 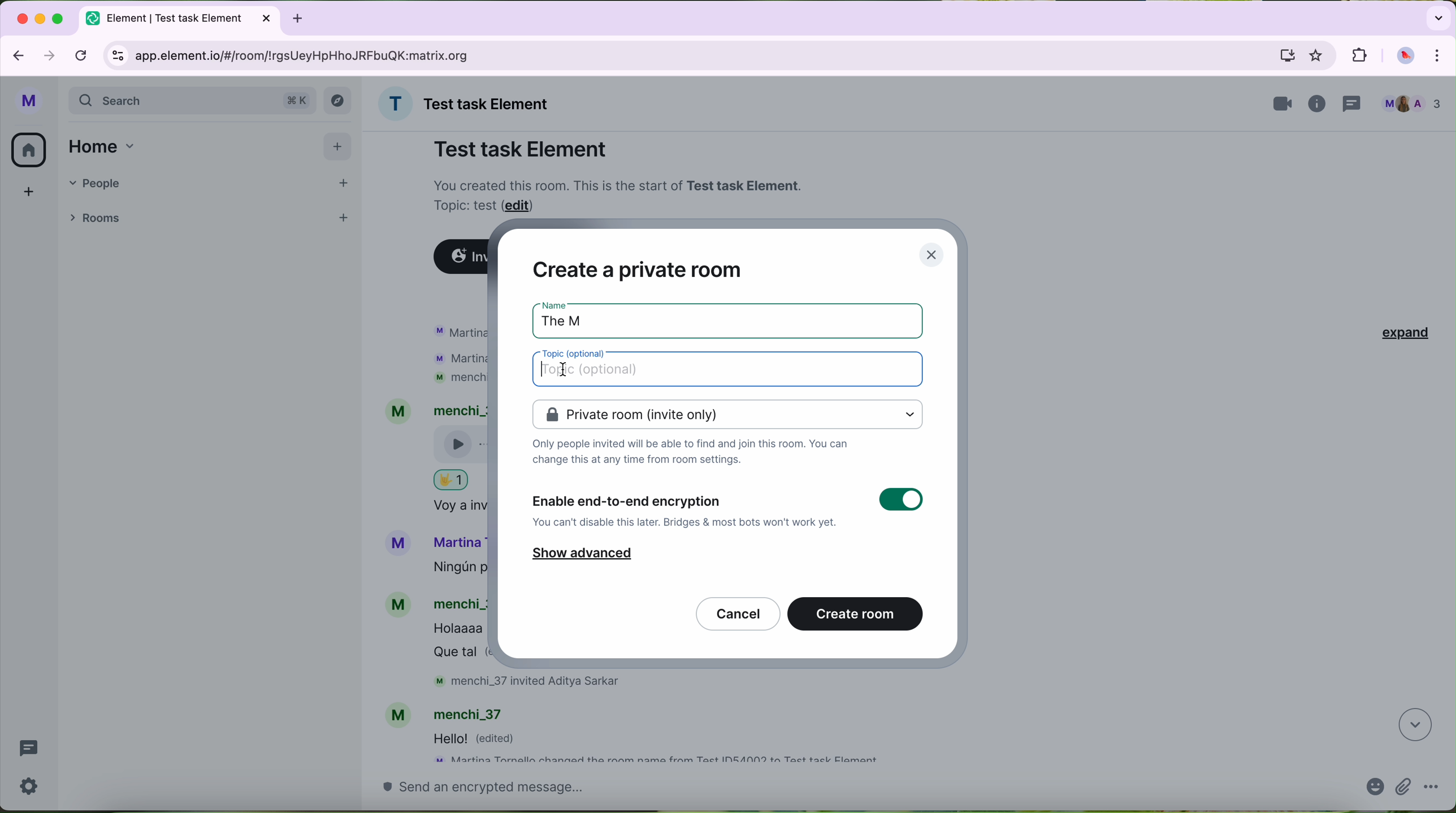 What do you see at coordinates (1413, 725) in the screenshot?
I see `navigate down` at bounding box center [1413, 725].